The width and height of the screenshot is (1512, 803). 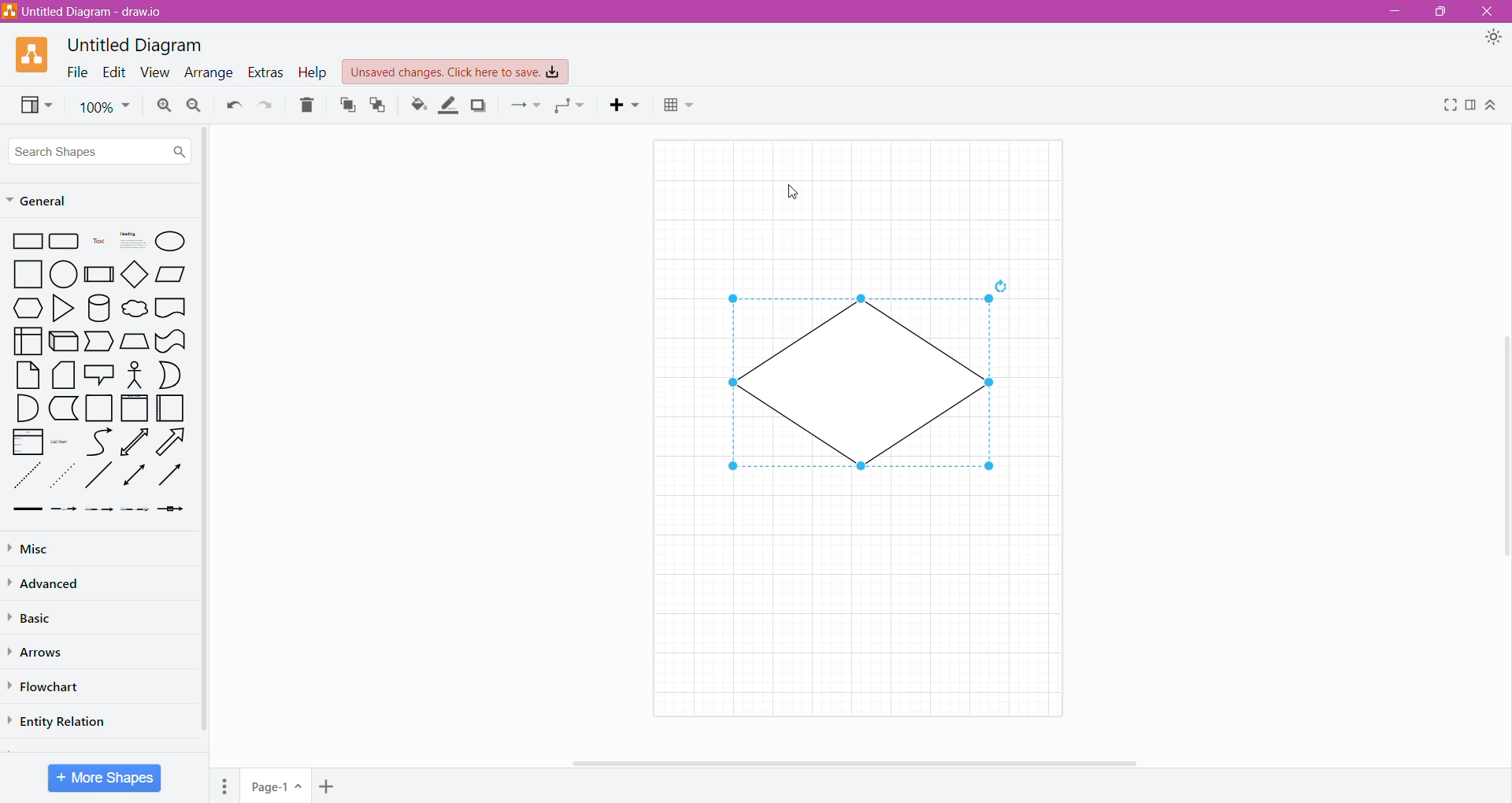 What do you see at coordinates (134, 242) in the screenshot?
I see `Heading with Text` at bounding box center [134, 242].